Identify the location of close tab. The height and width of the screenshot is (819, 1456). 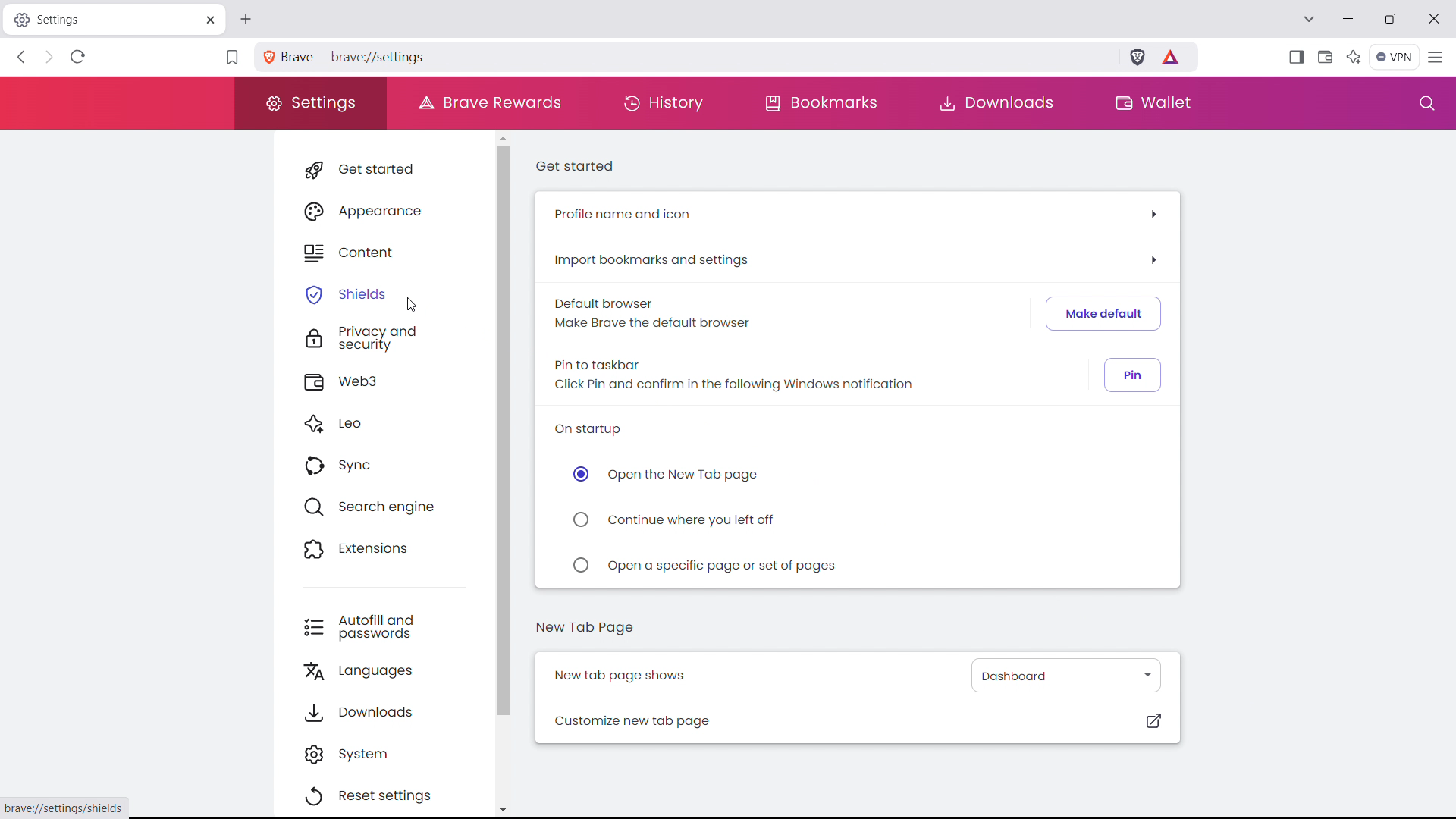
(209, 20).